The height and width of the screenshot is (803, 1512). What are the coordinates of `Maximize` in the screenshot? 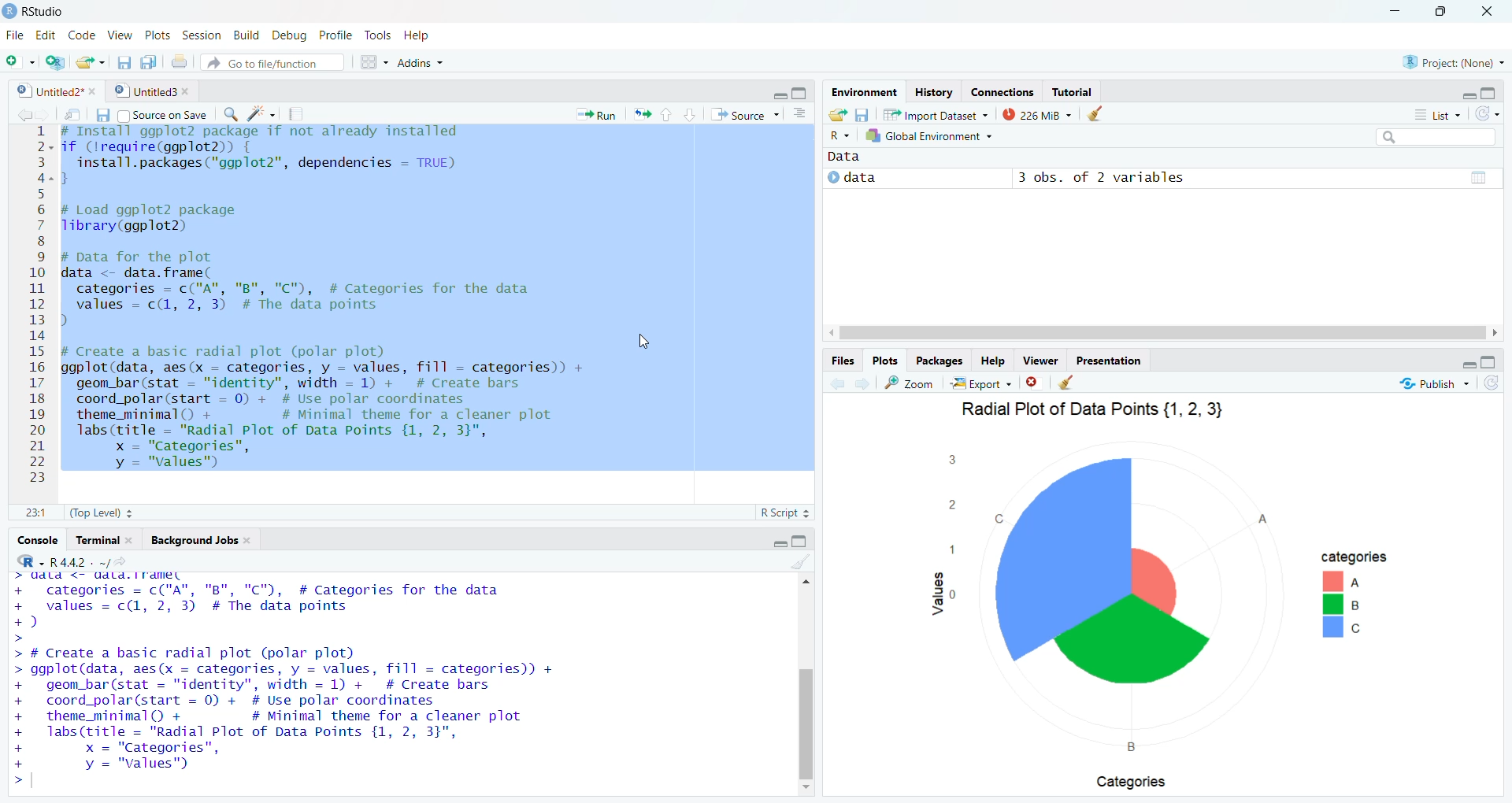 It's located at (802, 540).